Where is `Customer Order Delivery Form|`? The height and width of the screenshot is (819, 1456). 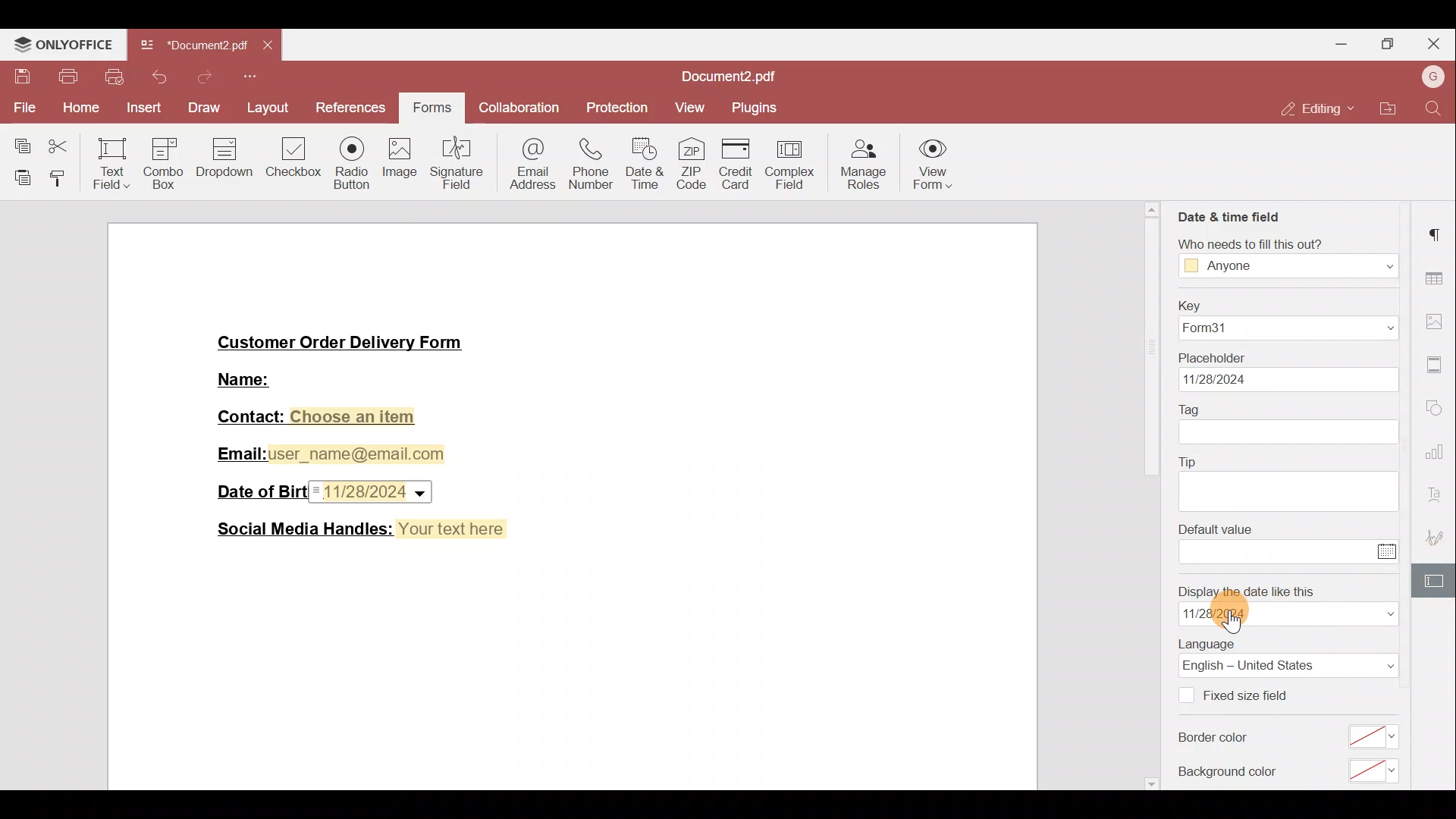 Customer Order Delivery Form| is located at coordinates (341, 345).